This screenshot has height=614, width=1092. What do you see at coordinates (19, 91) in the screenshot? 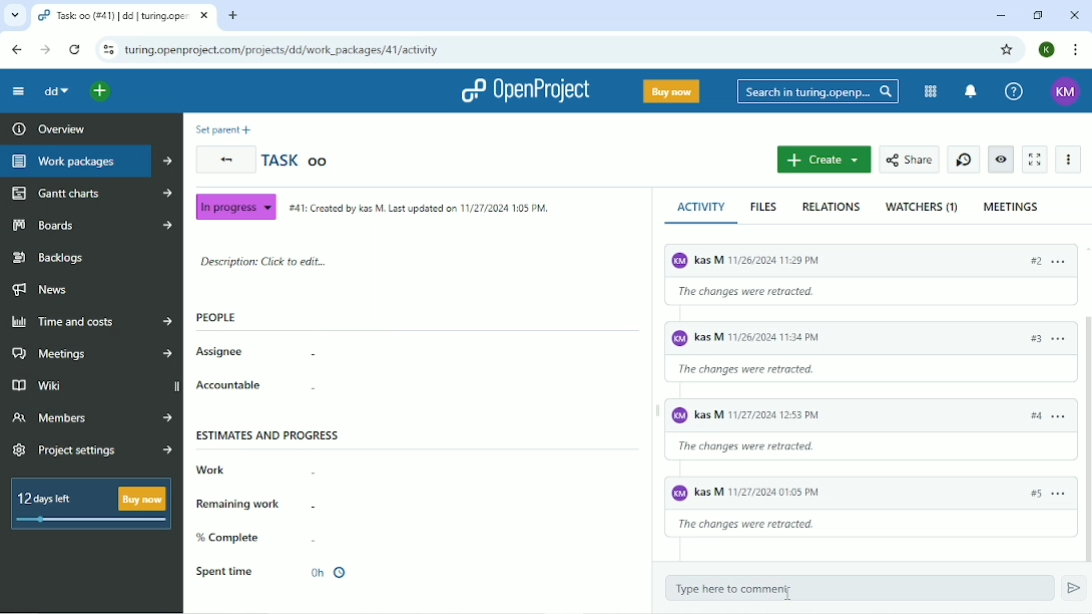
I see `Collapse project menu` at bounding box center [19, 91].